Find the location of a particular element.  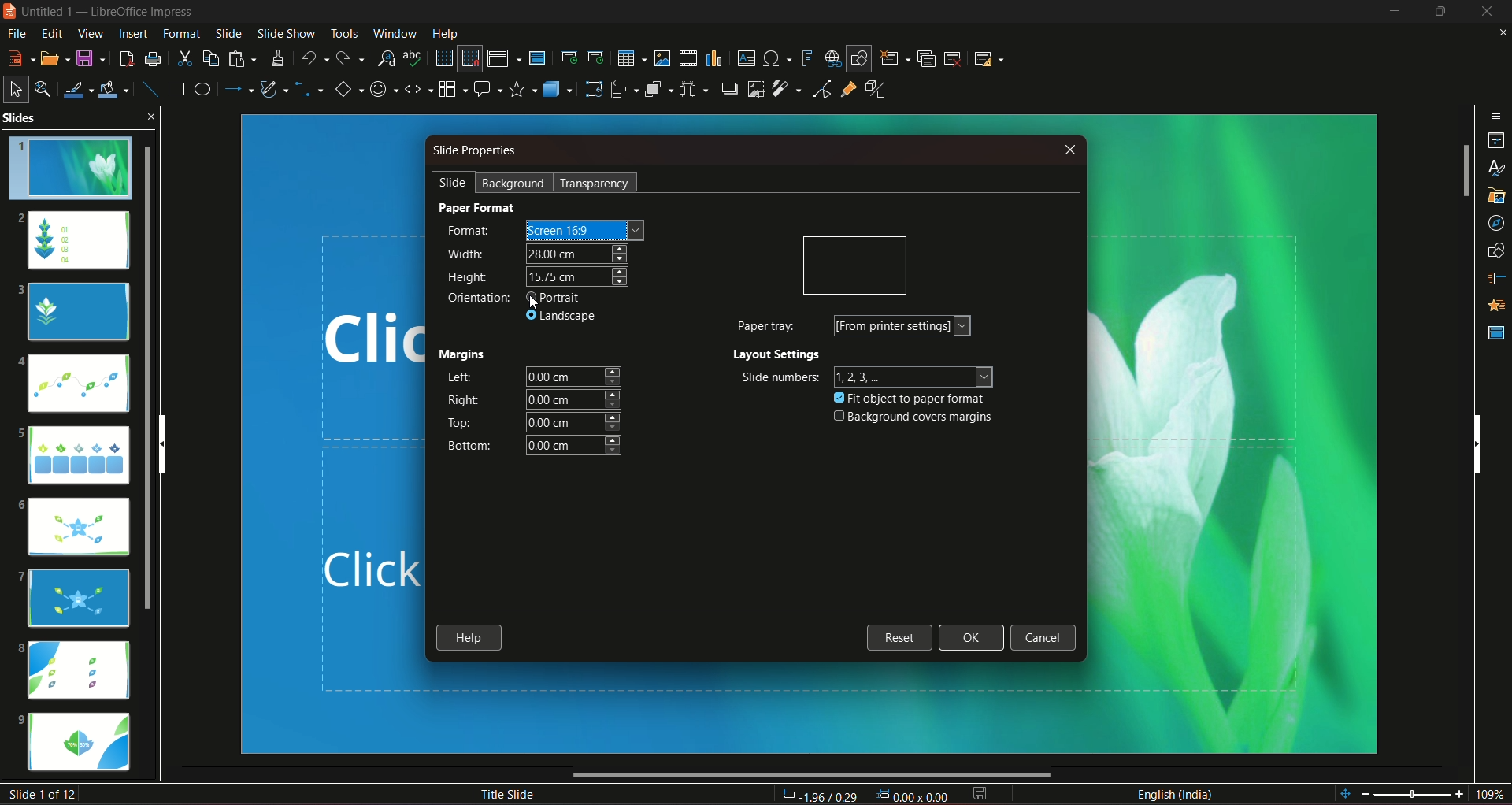

insert is located at coordinates (131, 33).